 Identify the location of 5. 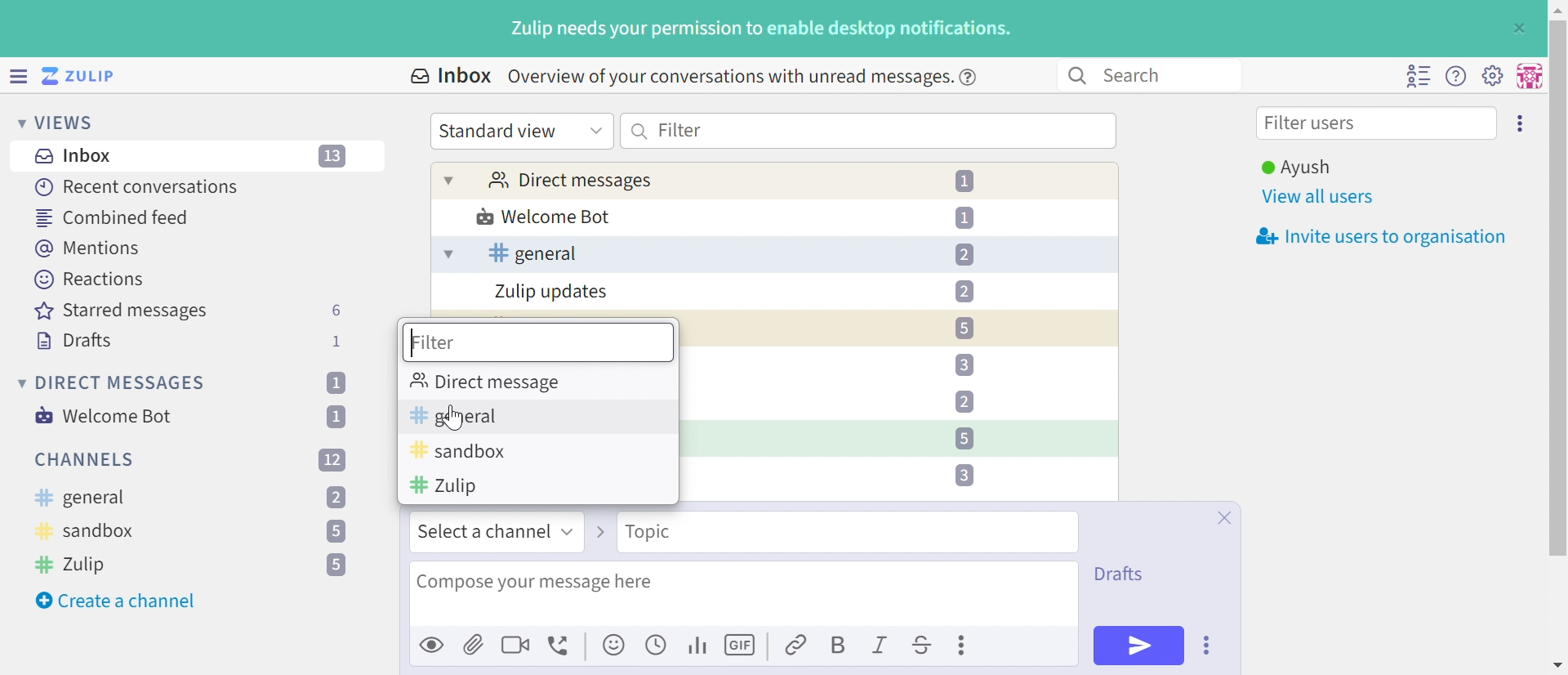
(964, 329).